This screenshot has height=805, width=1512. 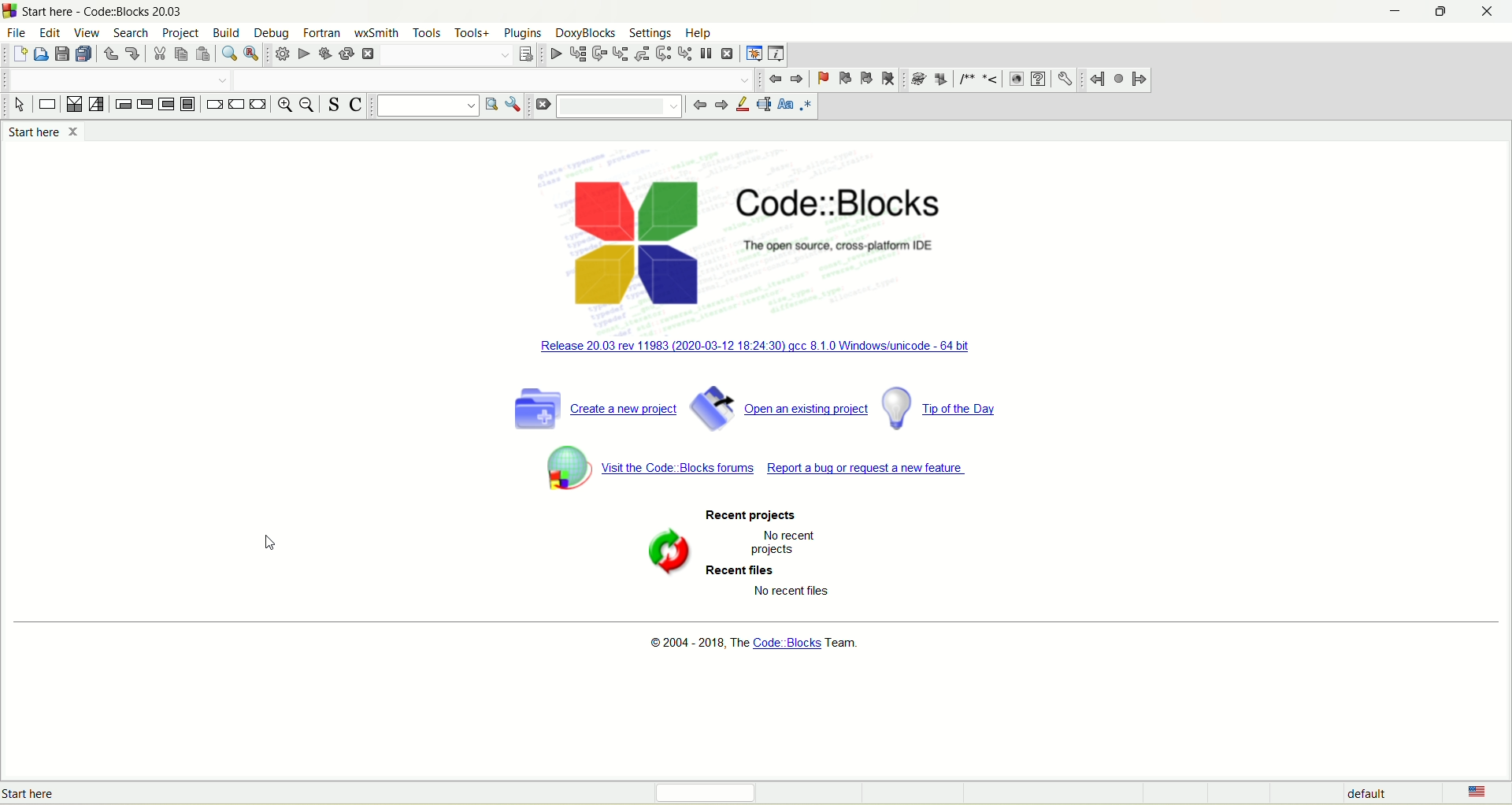 What do you see at coordinates (623, 53) in the screenshot?
I see `step into` at bounding box center [623, 53].